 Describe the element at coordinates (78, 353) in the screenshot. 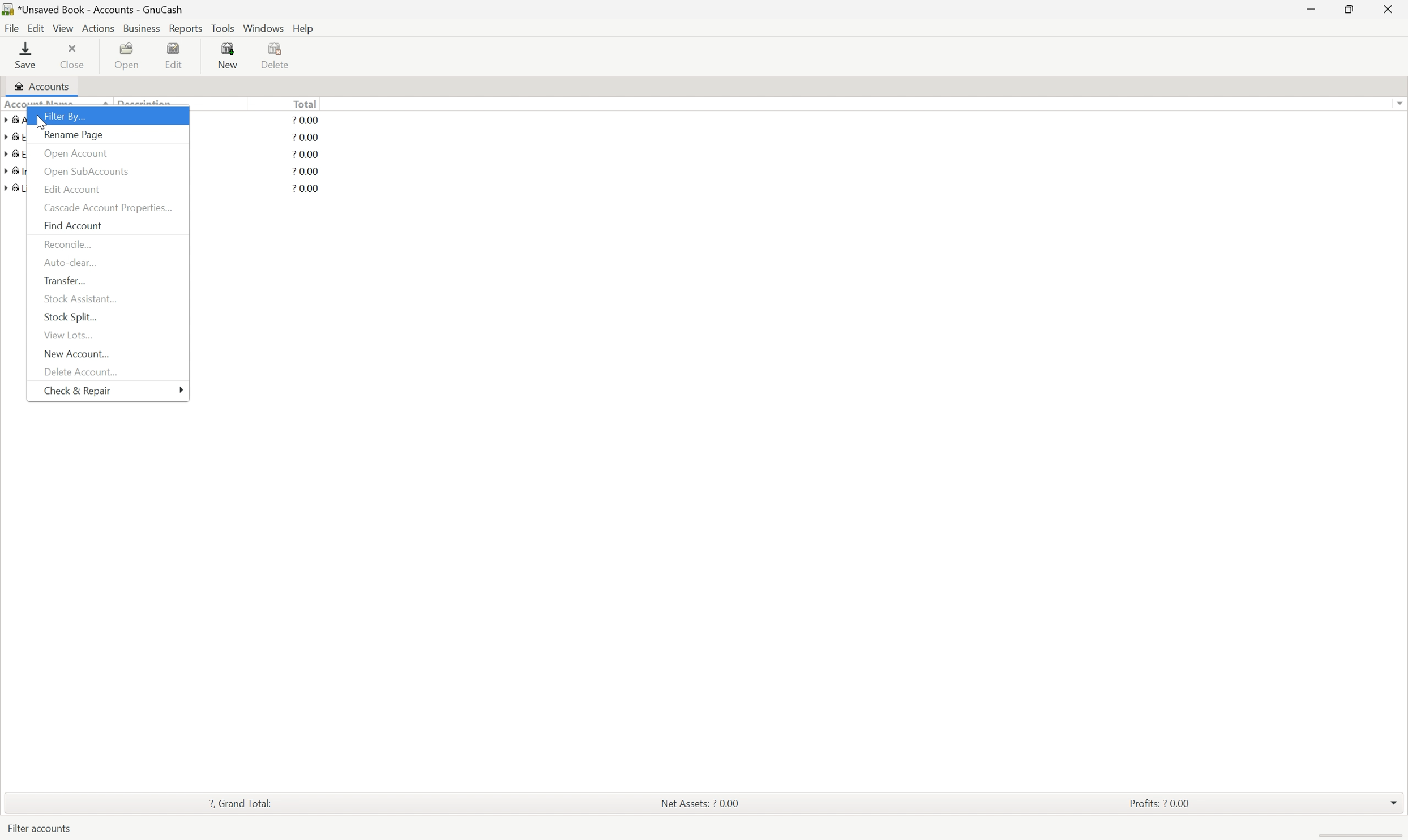

I see `New Account` at that location.